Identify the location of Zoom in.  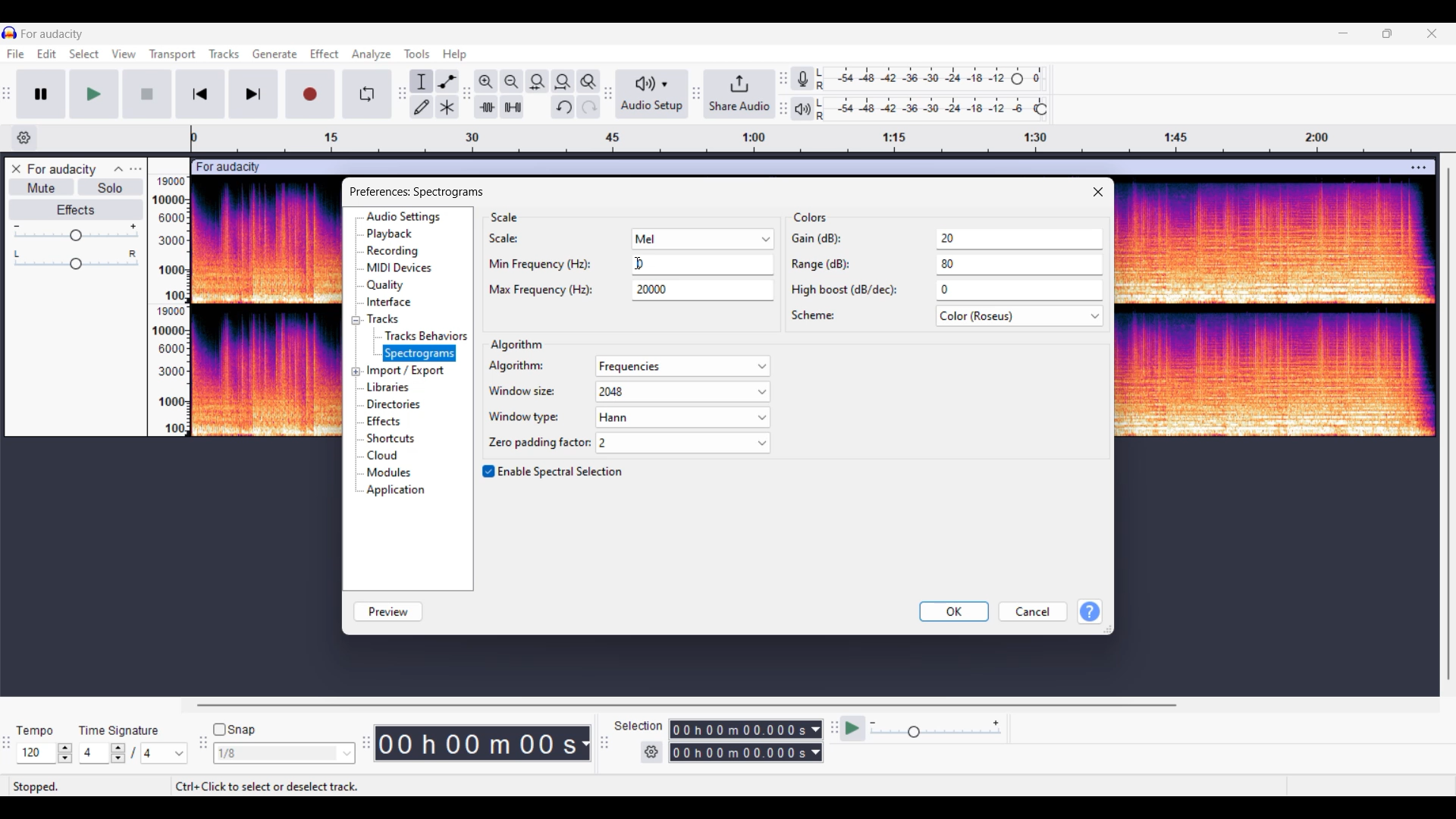
(487, 82).